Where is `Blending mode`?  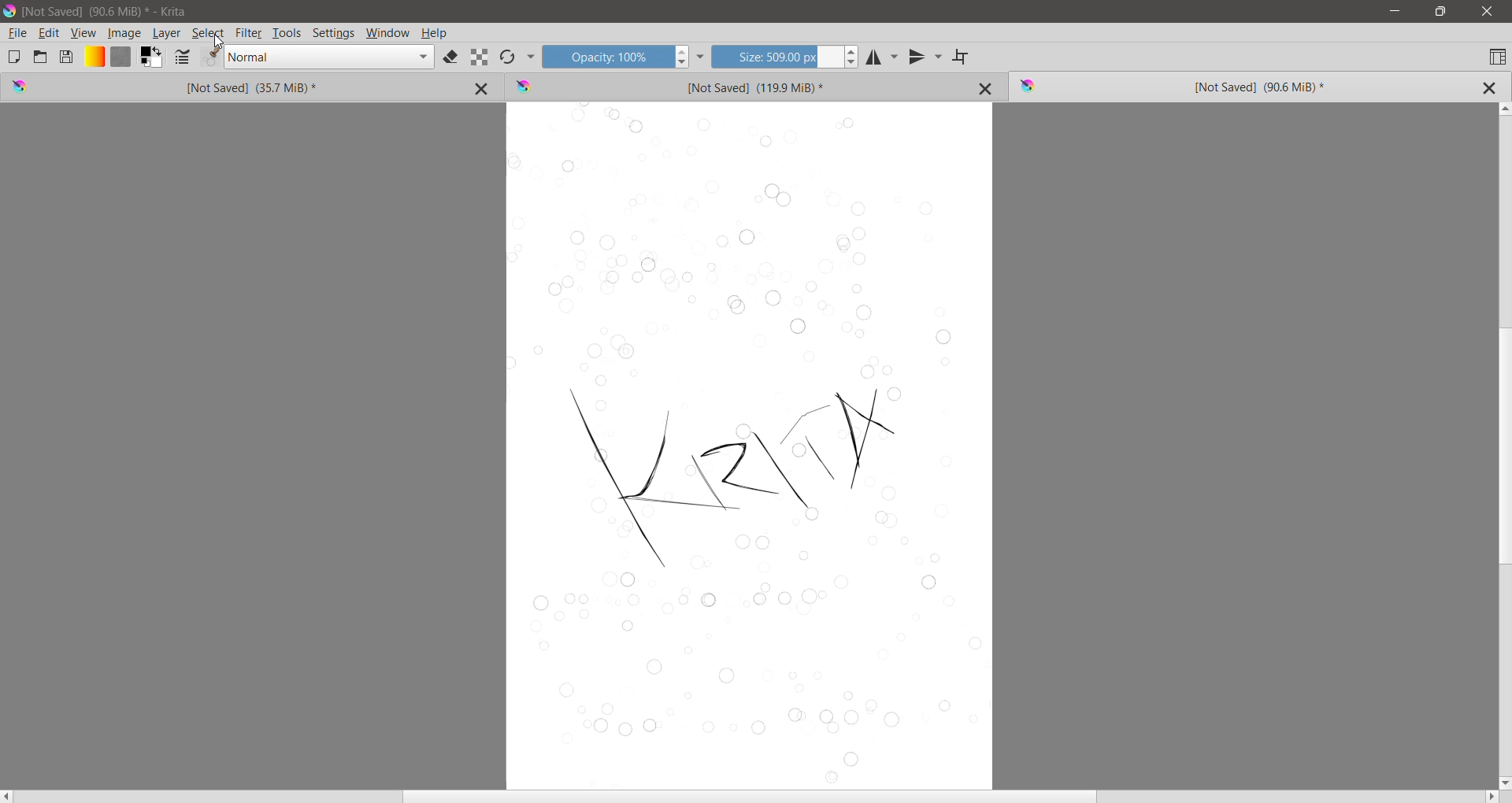 Blending mode is located at coordinates (329, 57).